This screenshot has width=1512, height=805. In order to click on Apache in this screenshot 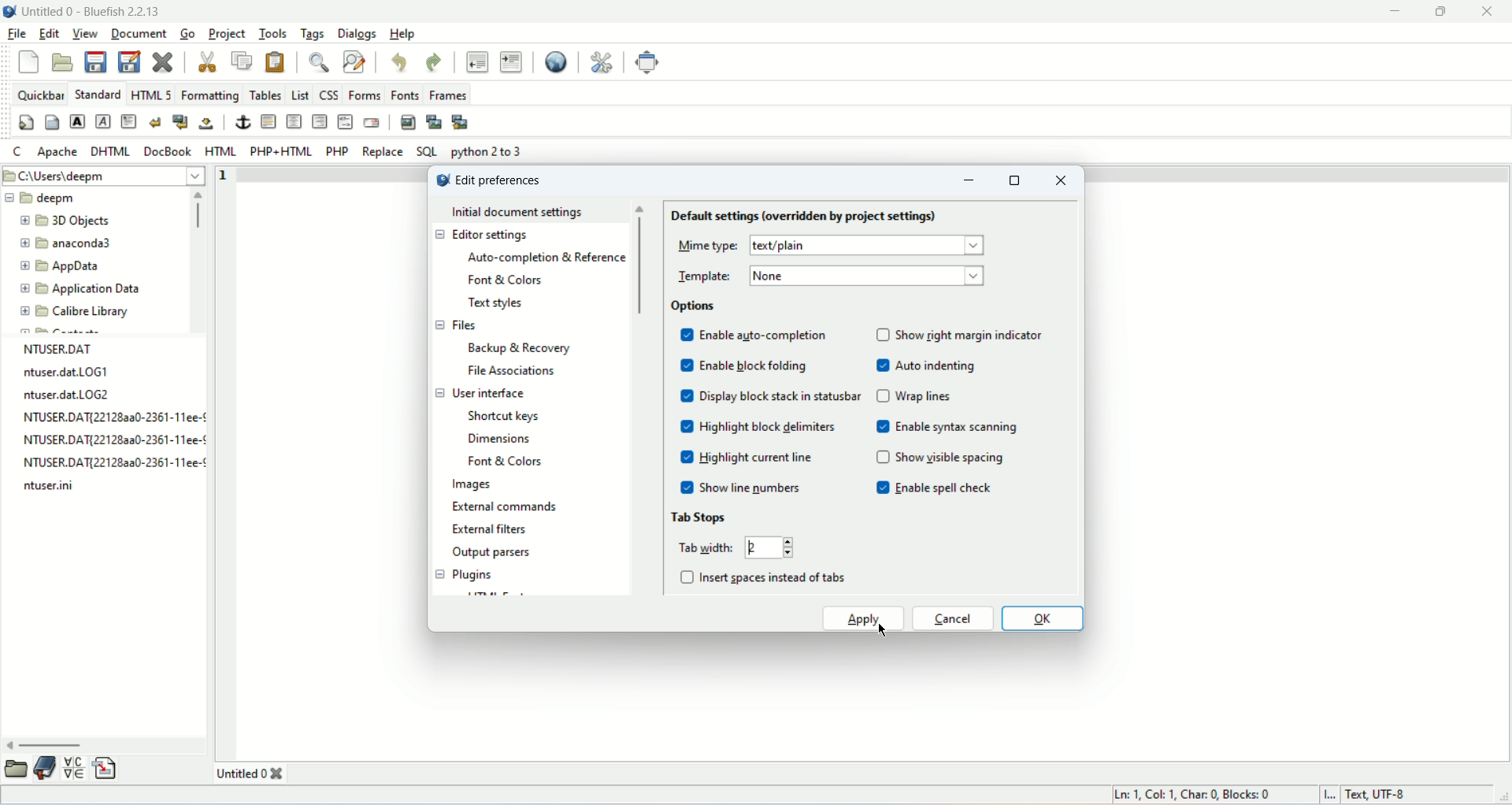, I will do `click(55, 150)`.